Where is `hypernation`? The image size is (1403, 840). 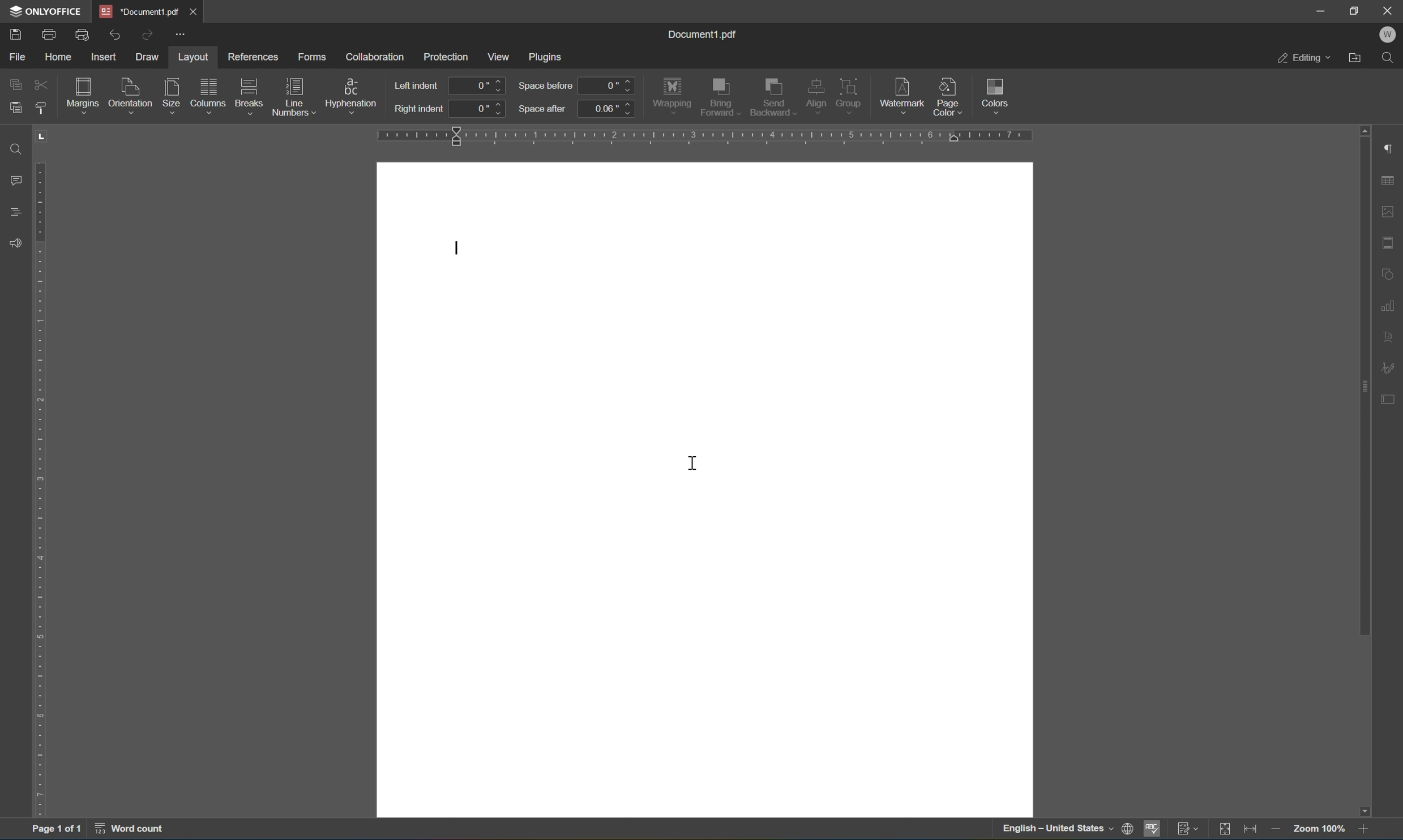
hypernation is located at coordinates (353, 93).